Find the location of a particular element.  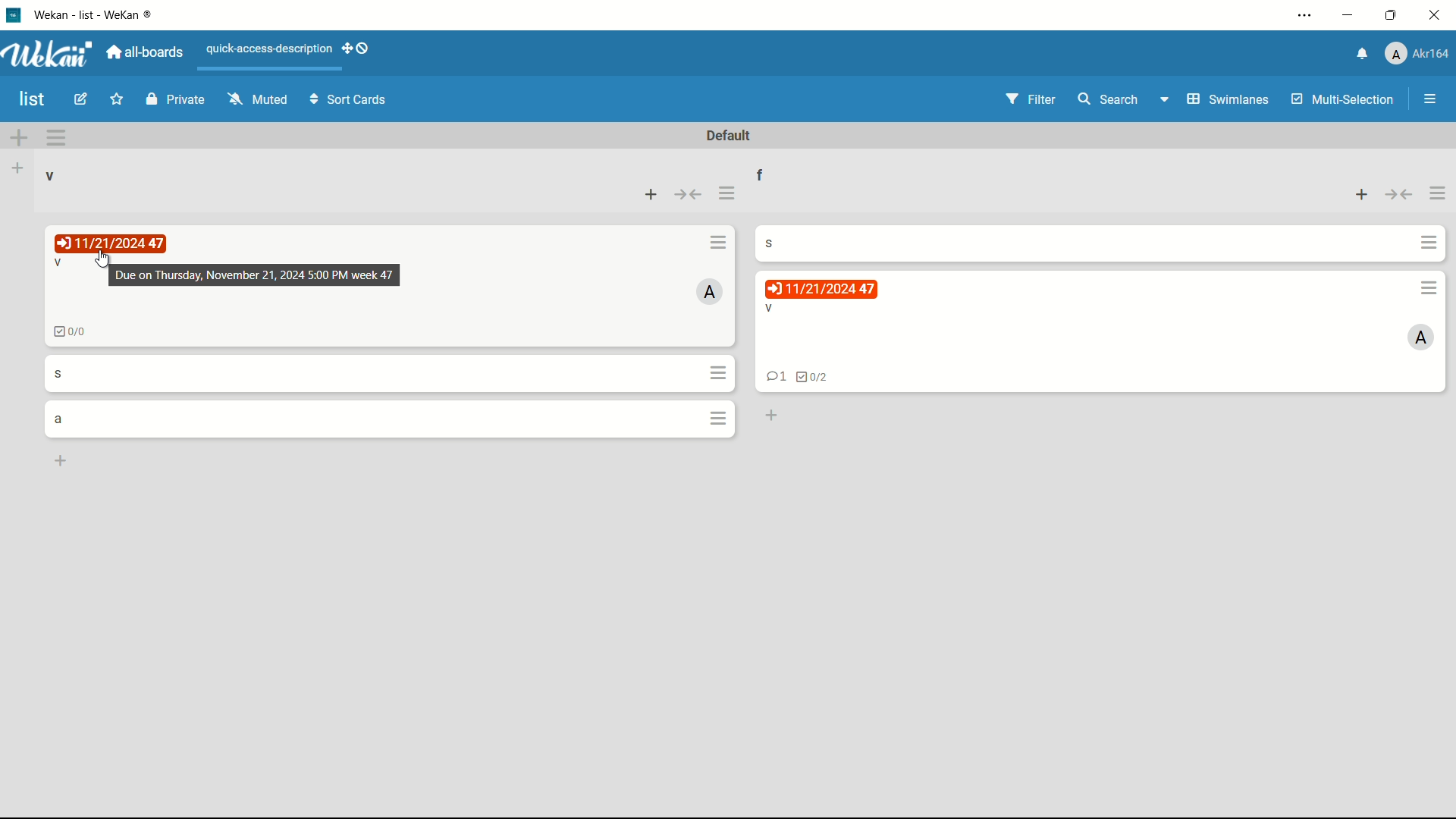

multi-selection is located at coordinates (1341, 99).